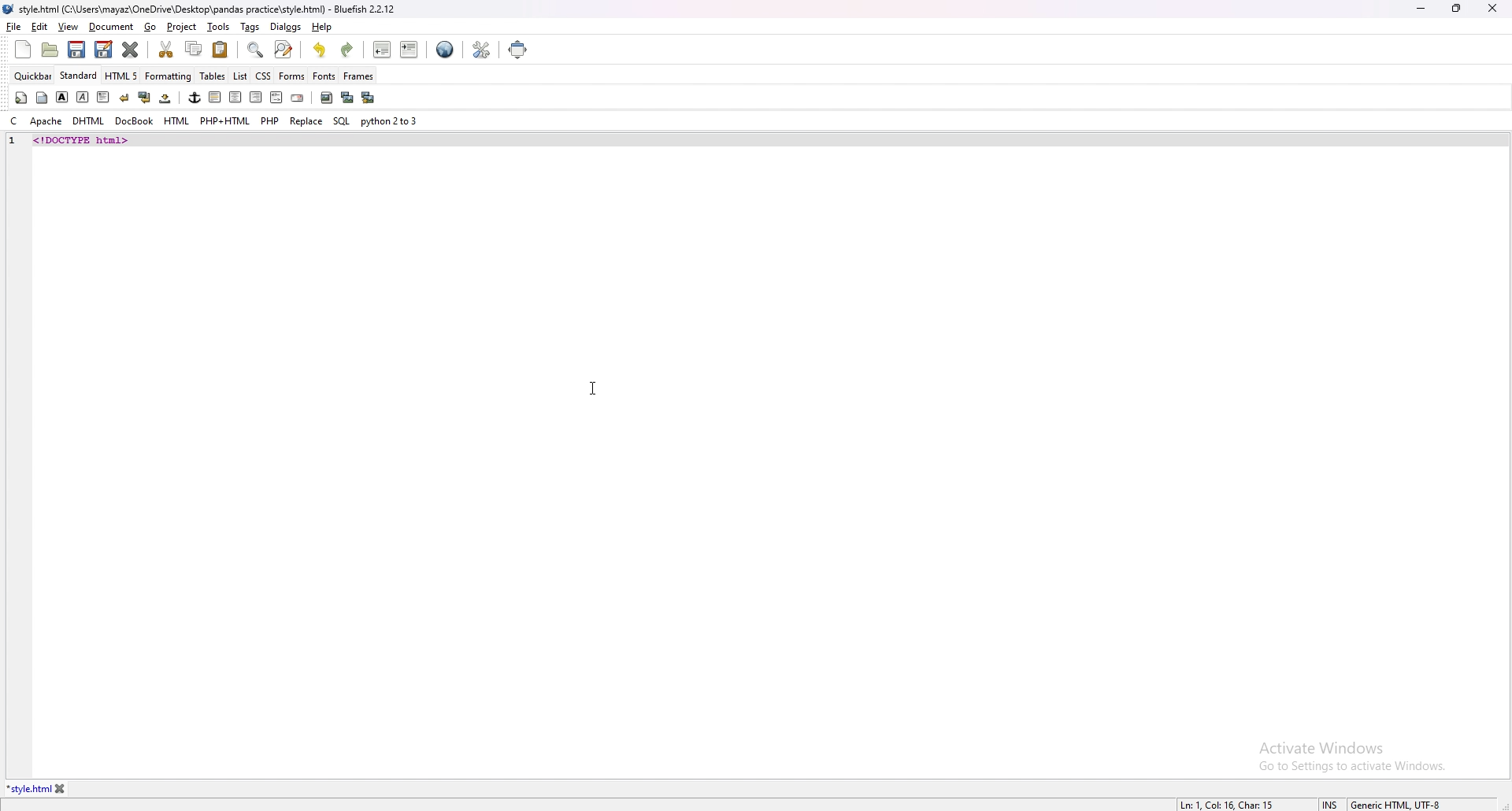  Describe the element at coordinates (169, 76) in the screenshot. I see `formatting` at that location.